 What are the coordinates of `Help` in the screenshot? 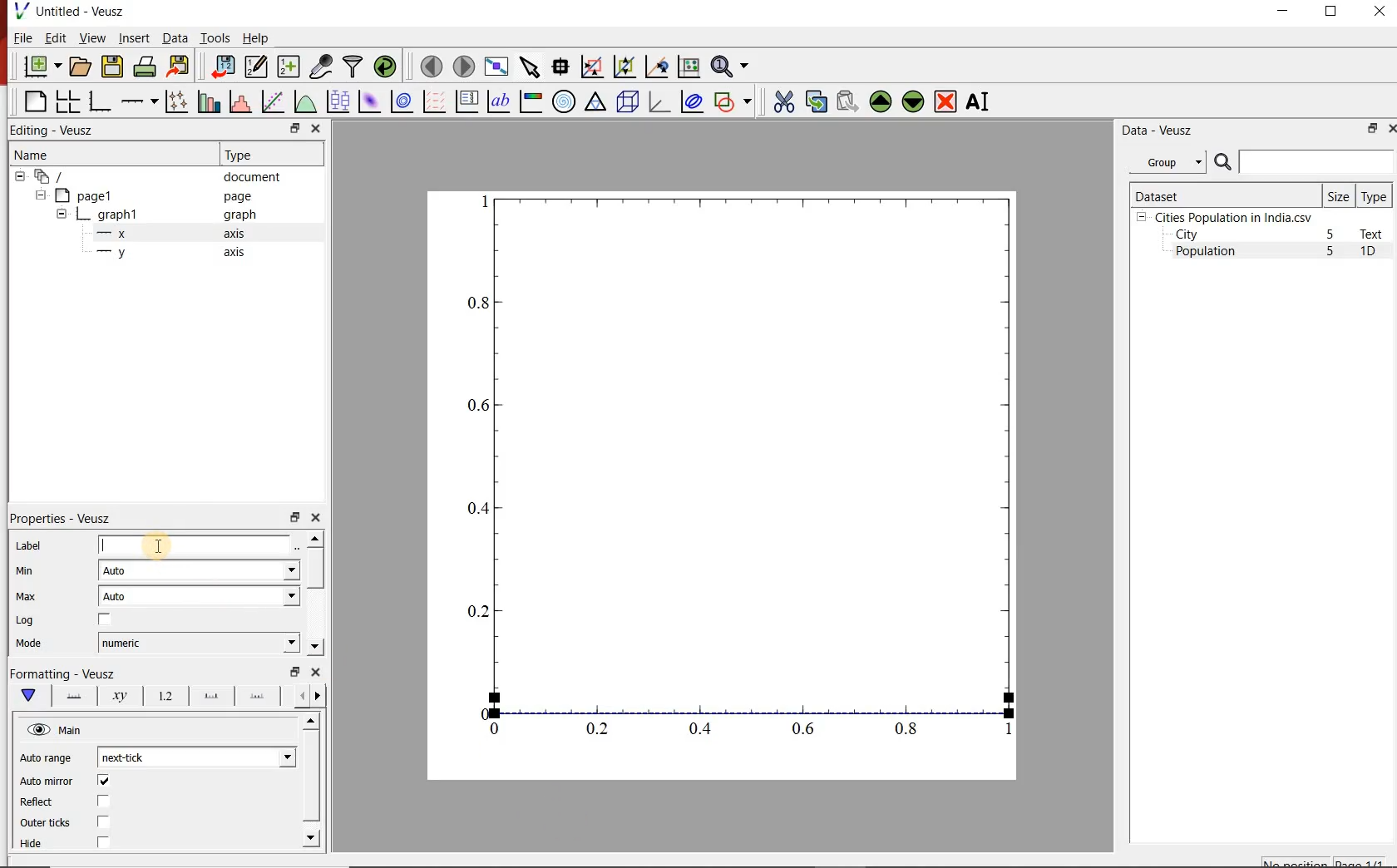 It's located at (257, 37).